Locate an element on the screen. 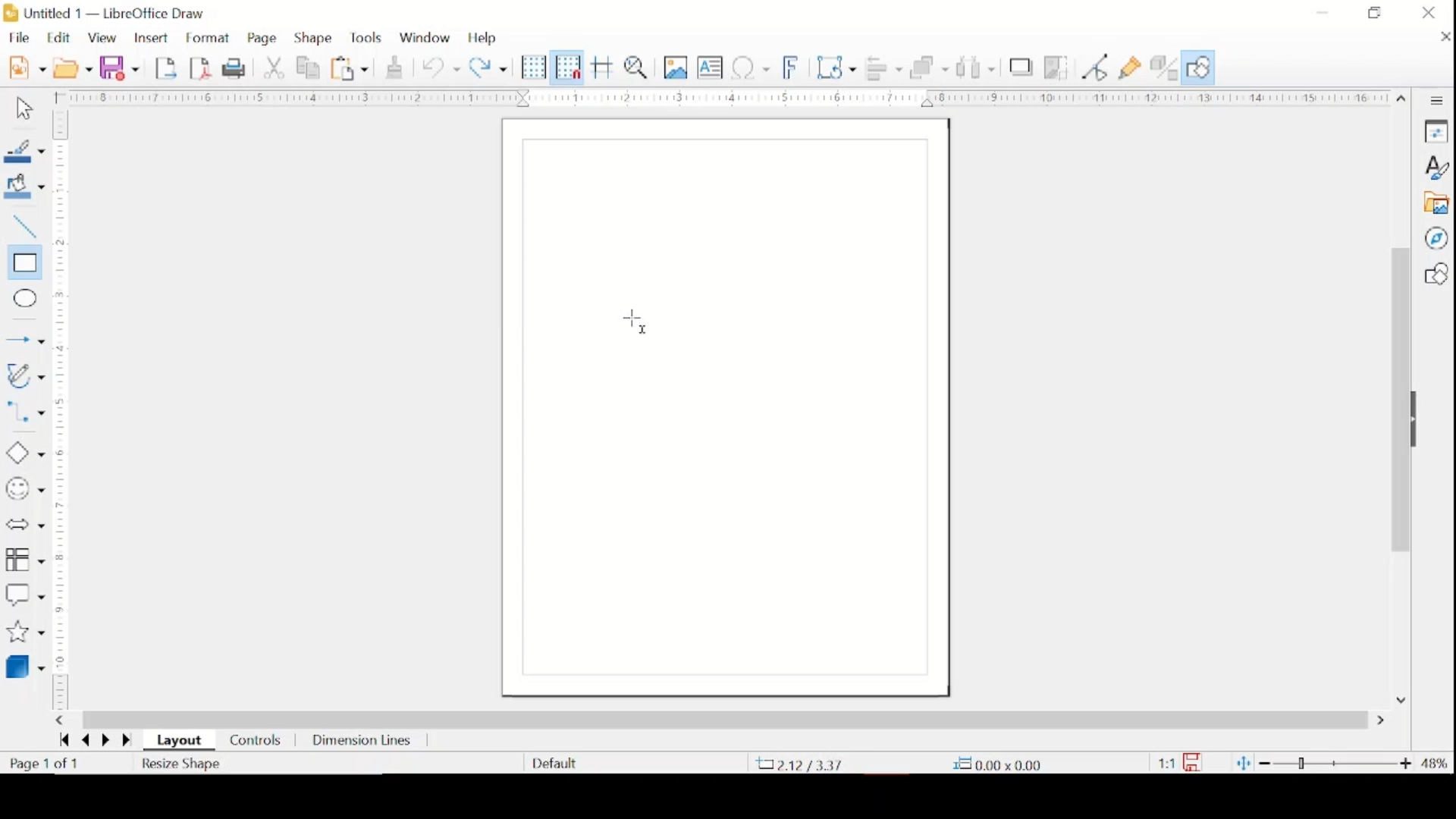  cut is located at coordinates (275, 67).